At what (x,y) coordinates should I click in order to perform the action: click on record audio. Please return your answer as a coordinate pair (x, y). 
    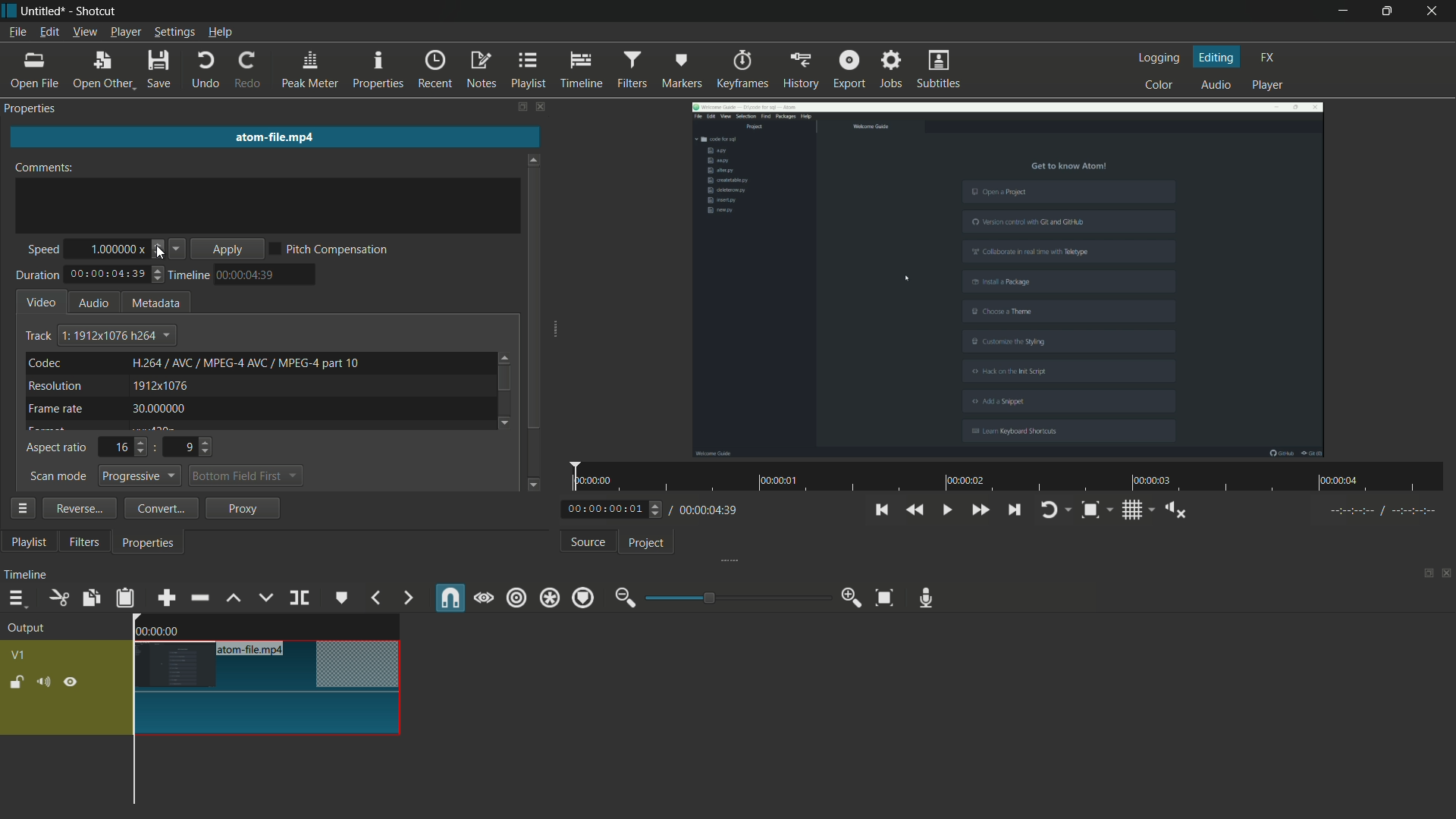
    Looking at the image, I should click on (926, 599).